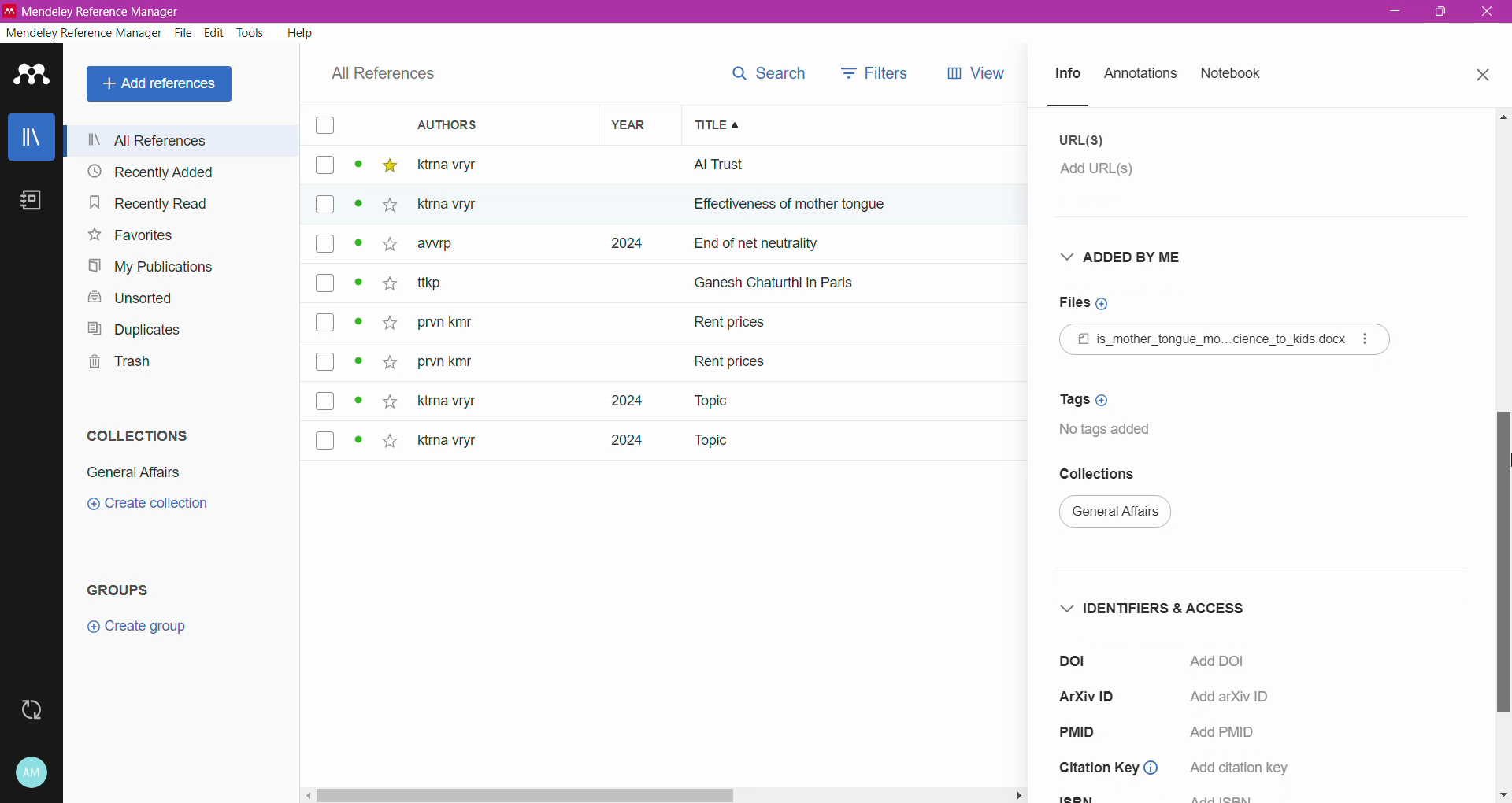  I want to click on box, so click(325, 322).